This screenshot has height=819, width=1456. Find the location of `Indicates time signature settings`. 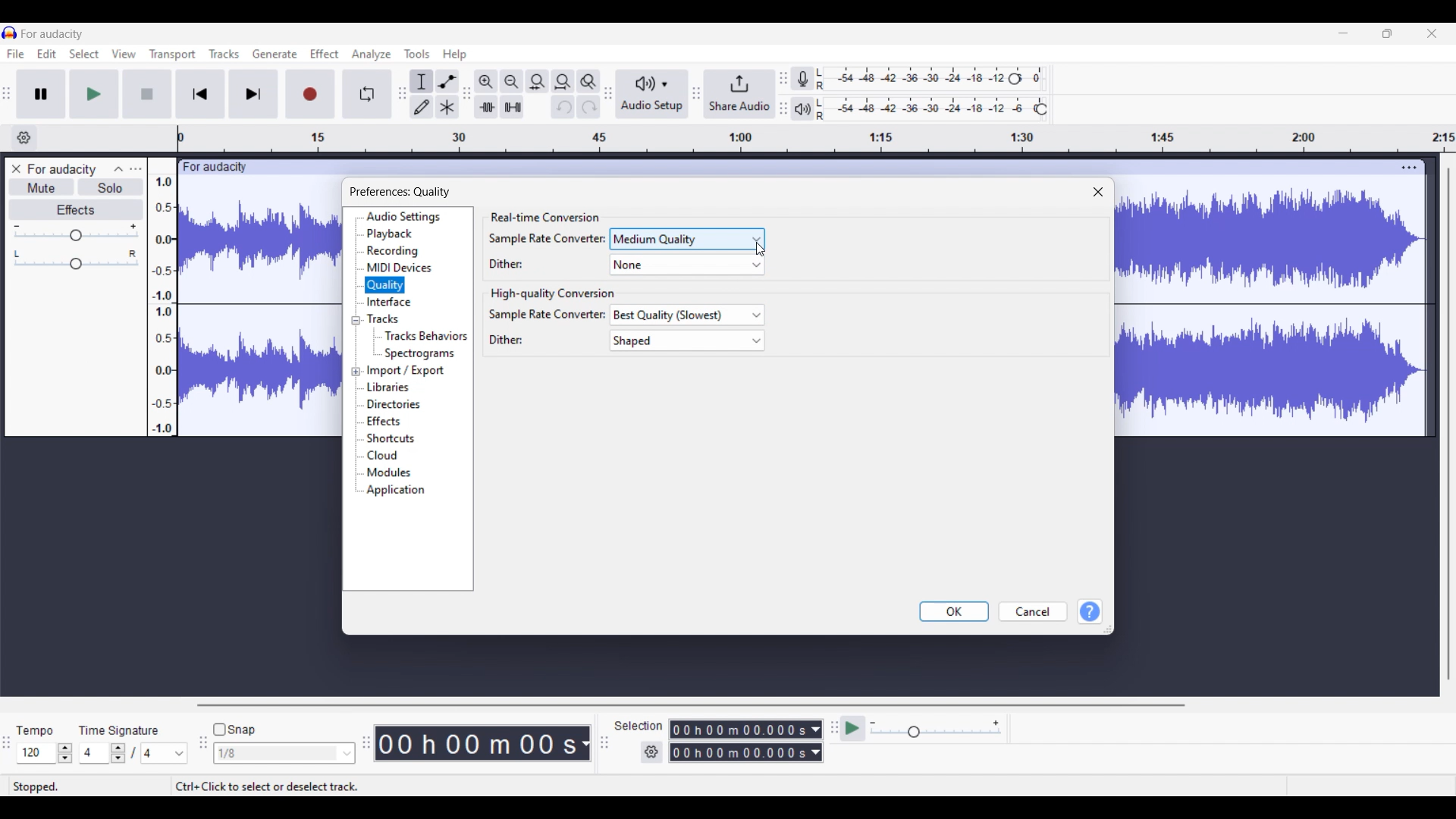

Indicates time signature settings is located at coordinates (119, 730).